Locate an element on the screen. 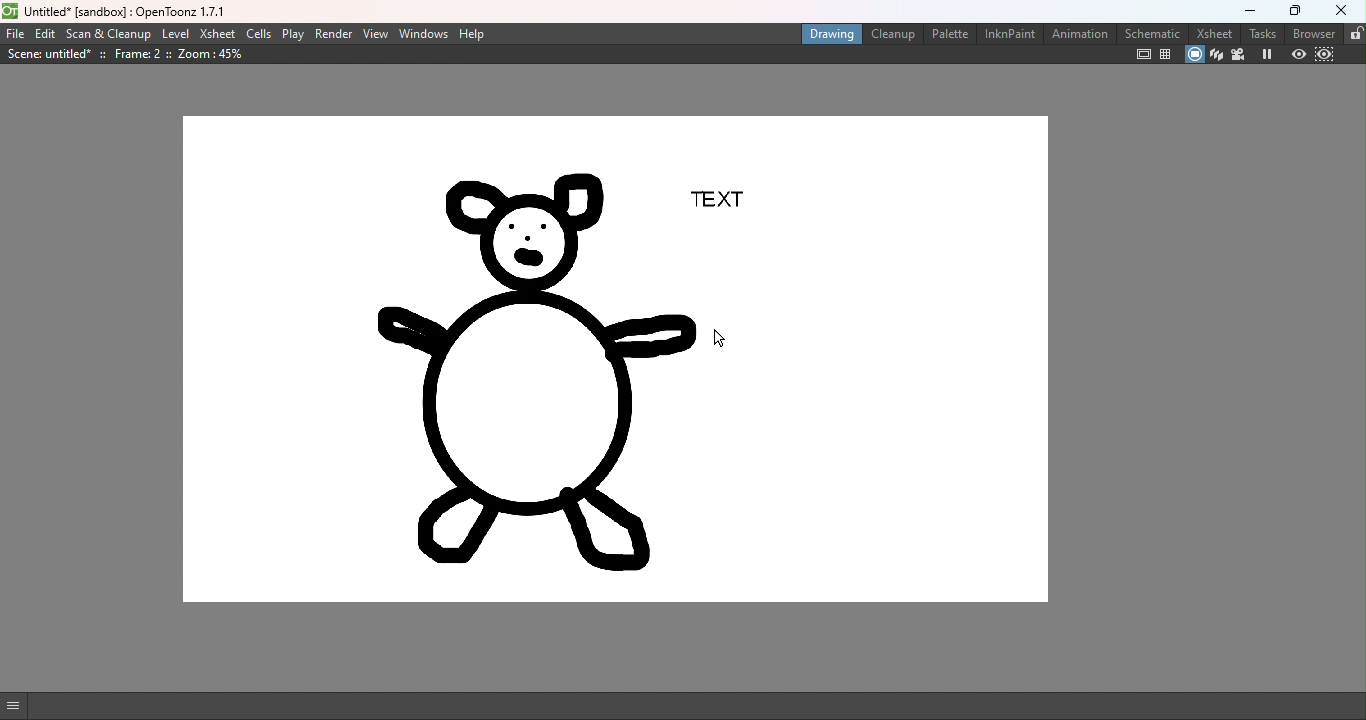  Sub-camera preview is located at coordinates (1325, 55).